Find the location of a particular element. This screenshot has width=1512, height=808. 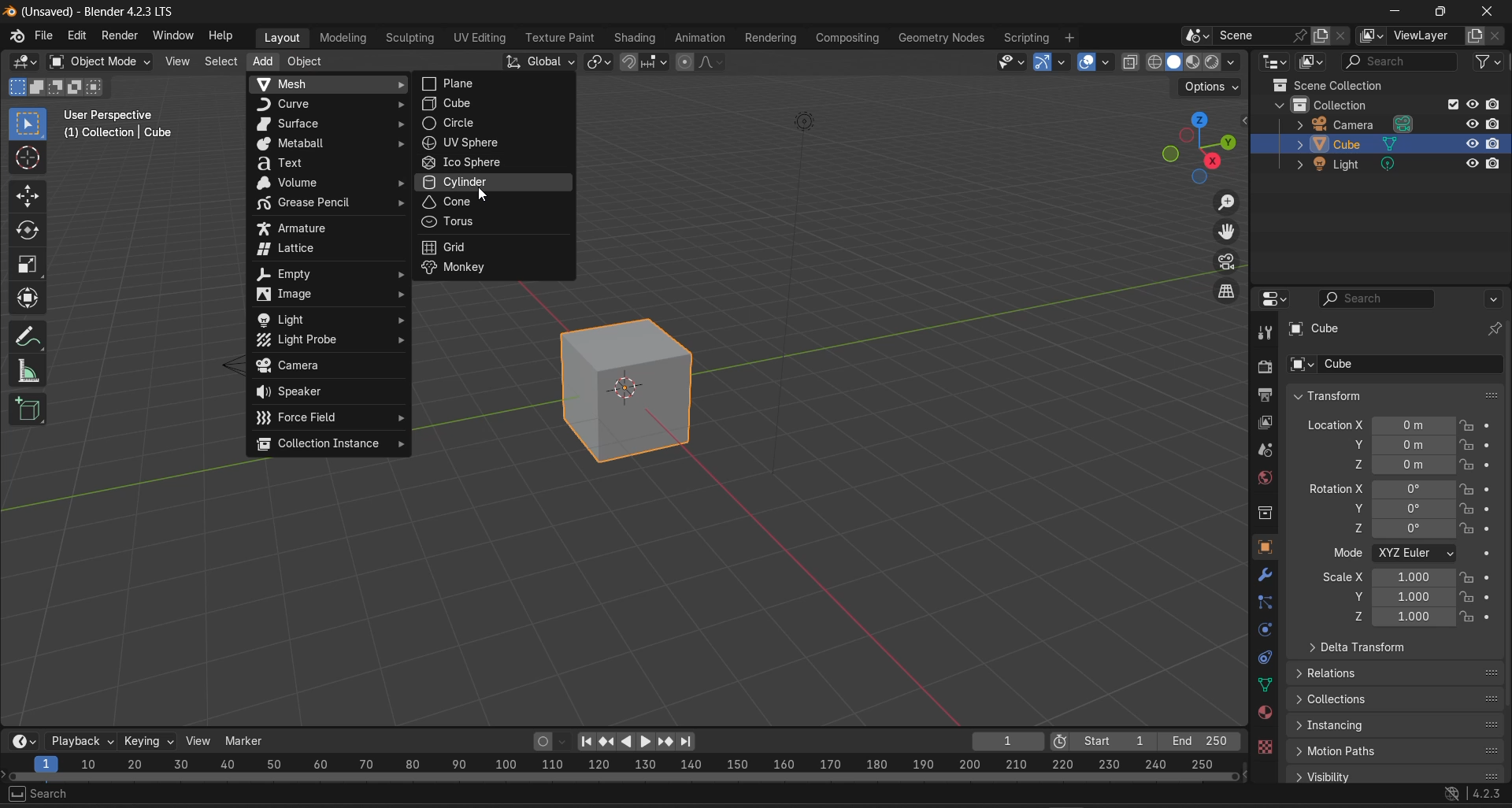

select is located at coordinates (222, 61).